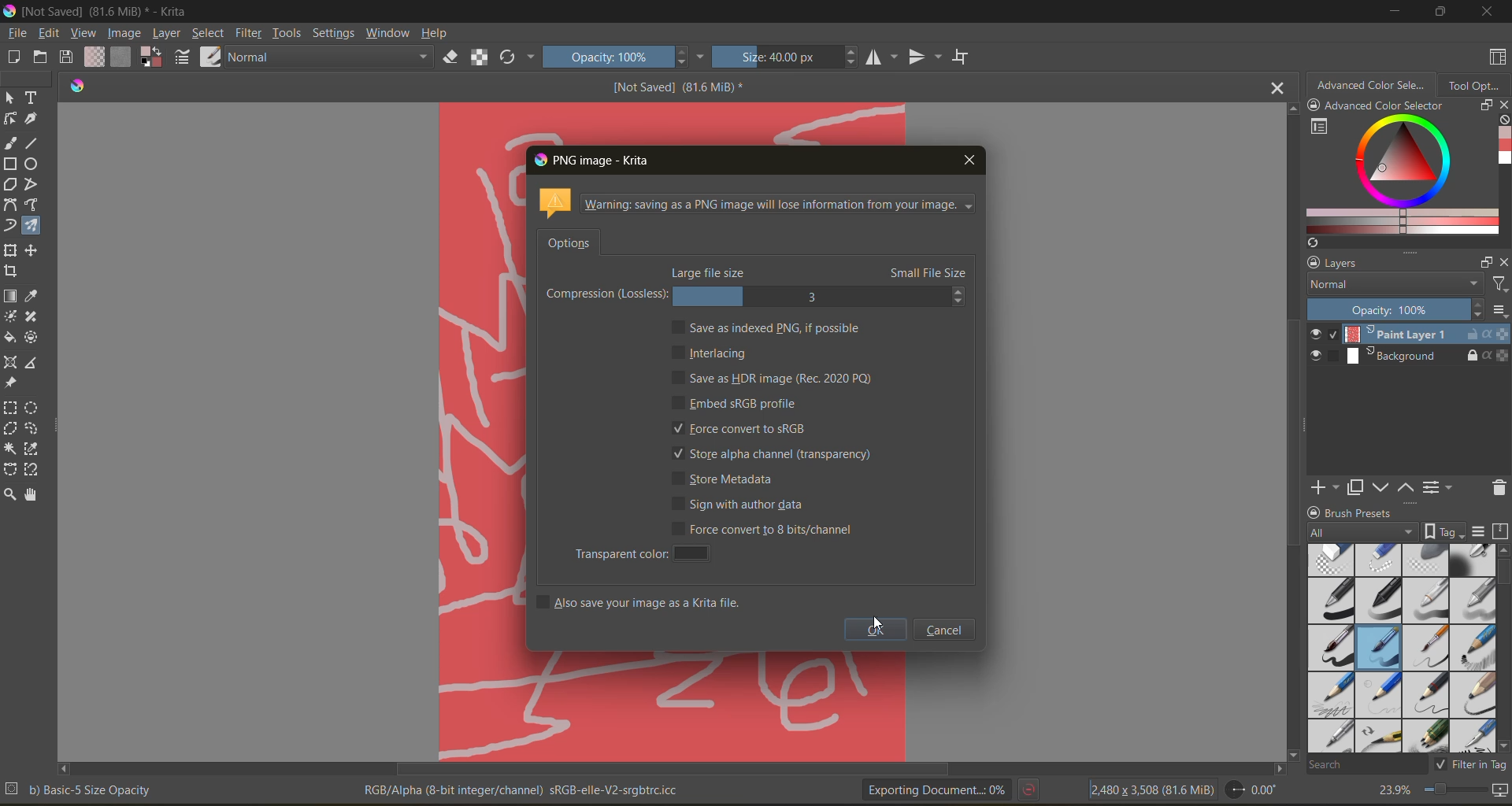 The image size is (1512, 806). I want to click on tool, so click(32, 98).